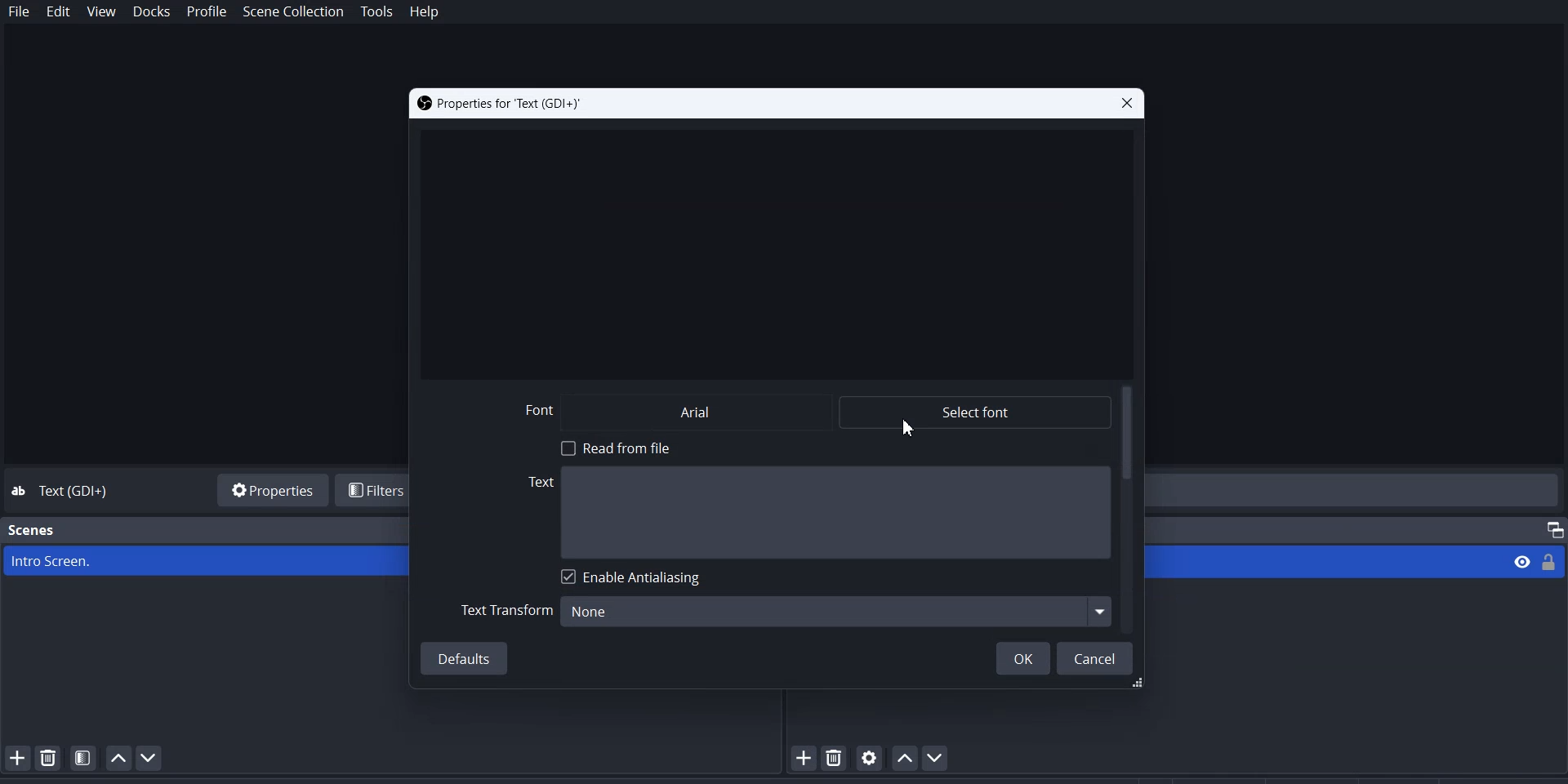 Image resolution: width=1568 pixels, height=784 pixels. I want to click on Open Scene Filter, so click(83, 756).